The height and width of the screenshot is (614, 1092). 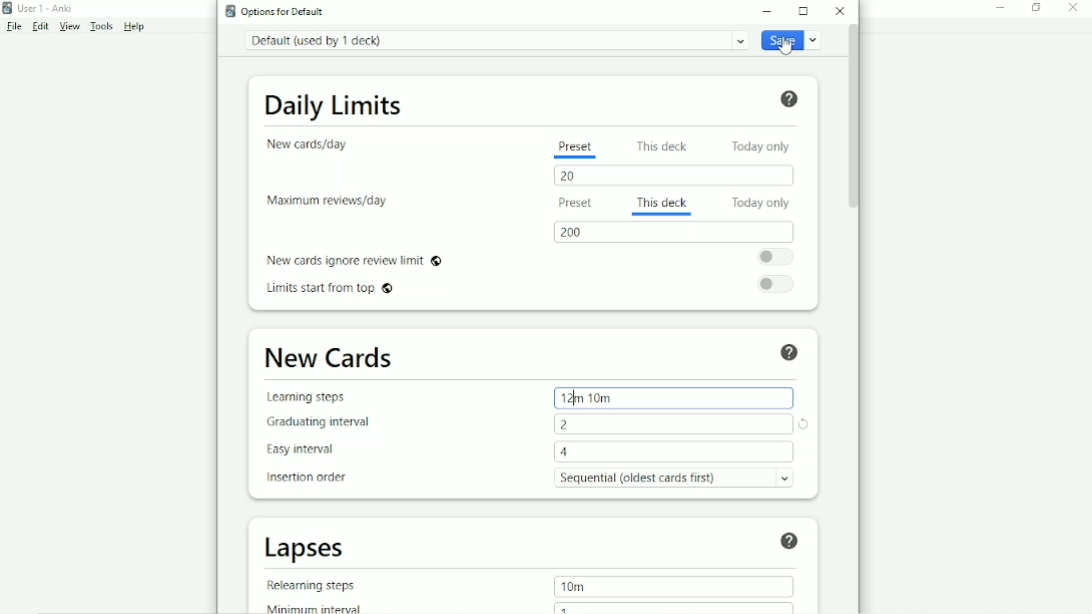 I want to click on Preset, so click(x=576, y=203).